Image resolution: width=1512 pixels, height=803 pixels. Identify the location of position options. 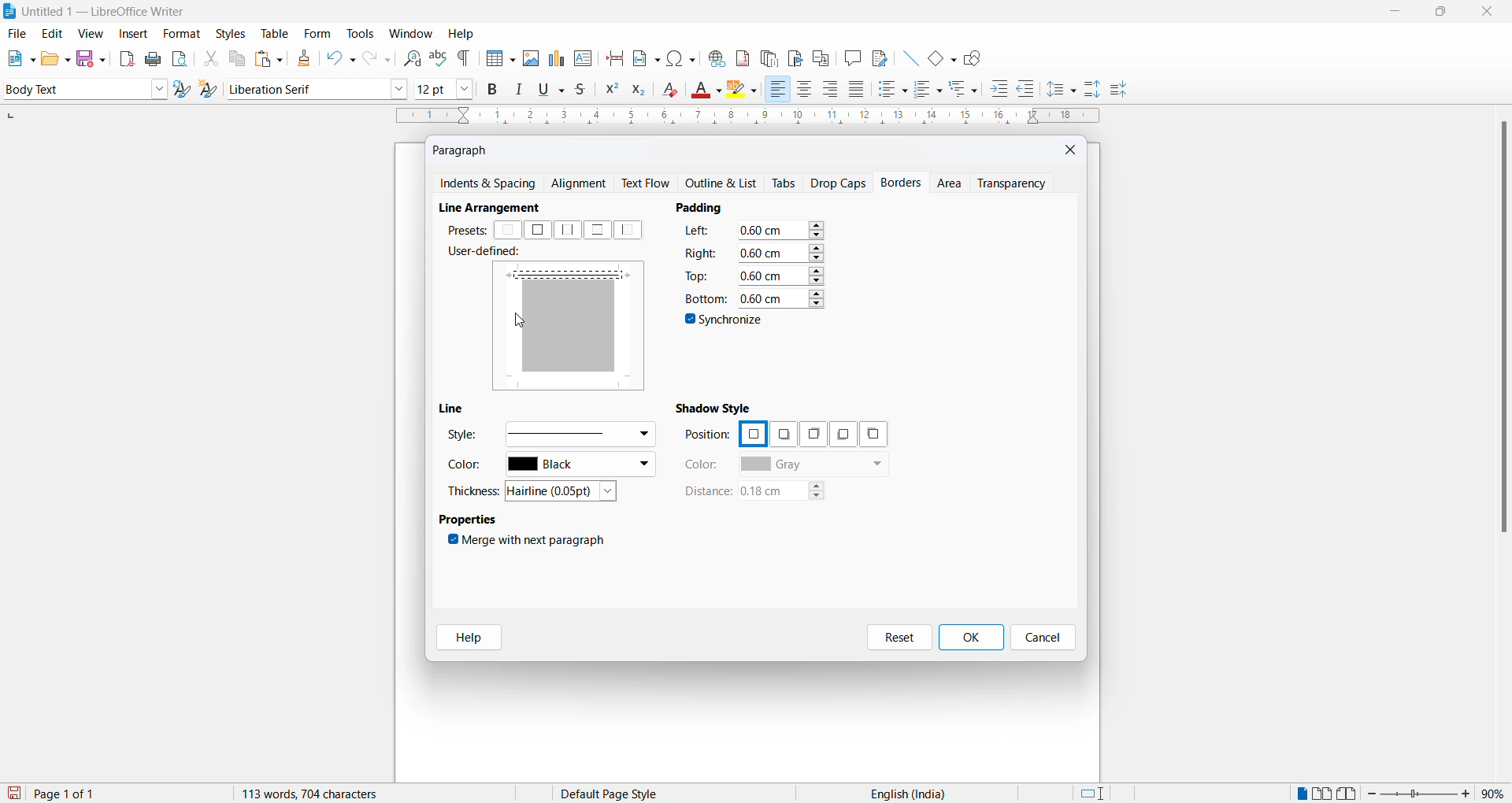
(783, 435).